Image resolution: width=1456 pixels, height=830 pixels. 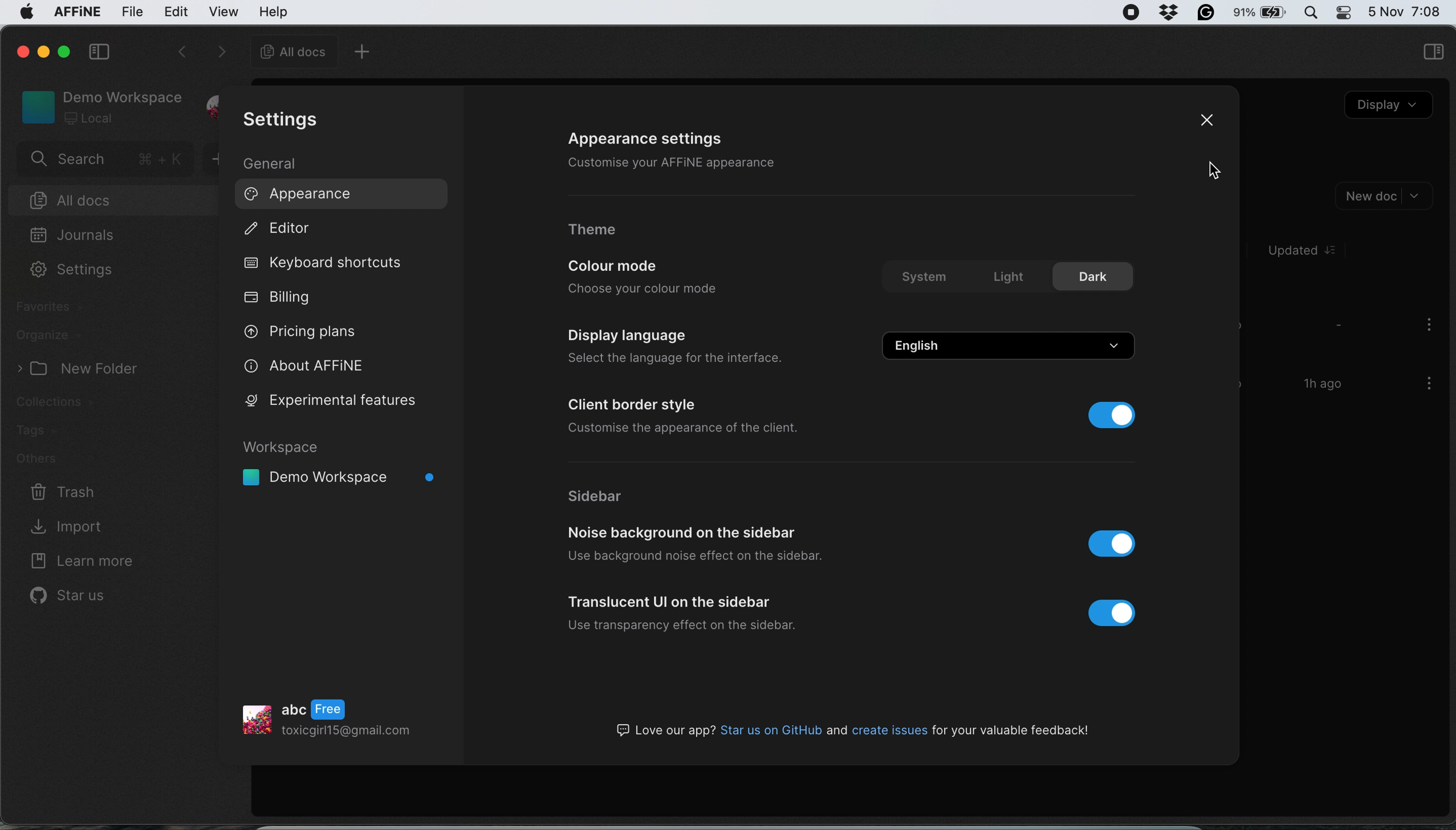 I want to click on colour mode, so click(x=635, y=265).